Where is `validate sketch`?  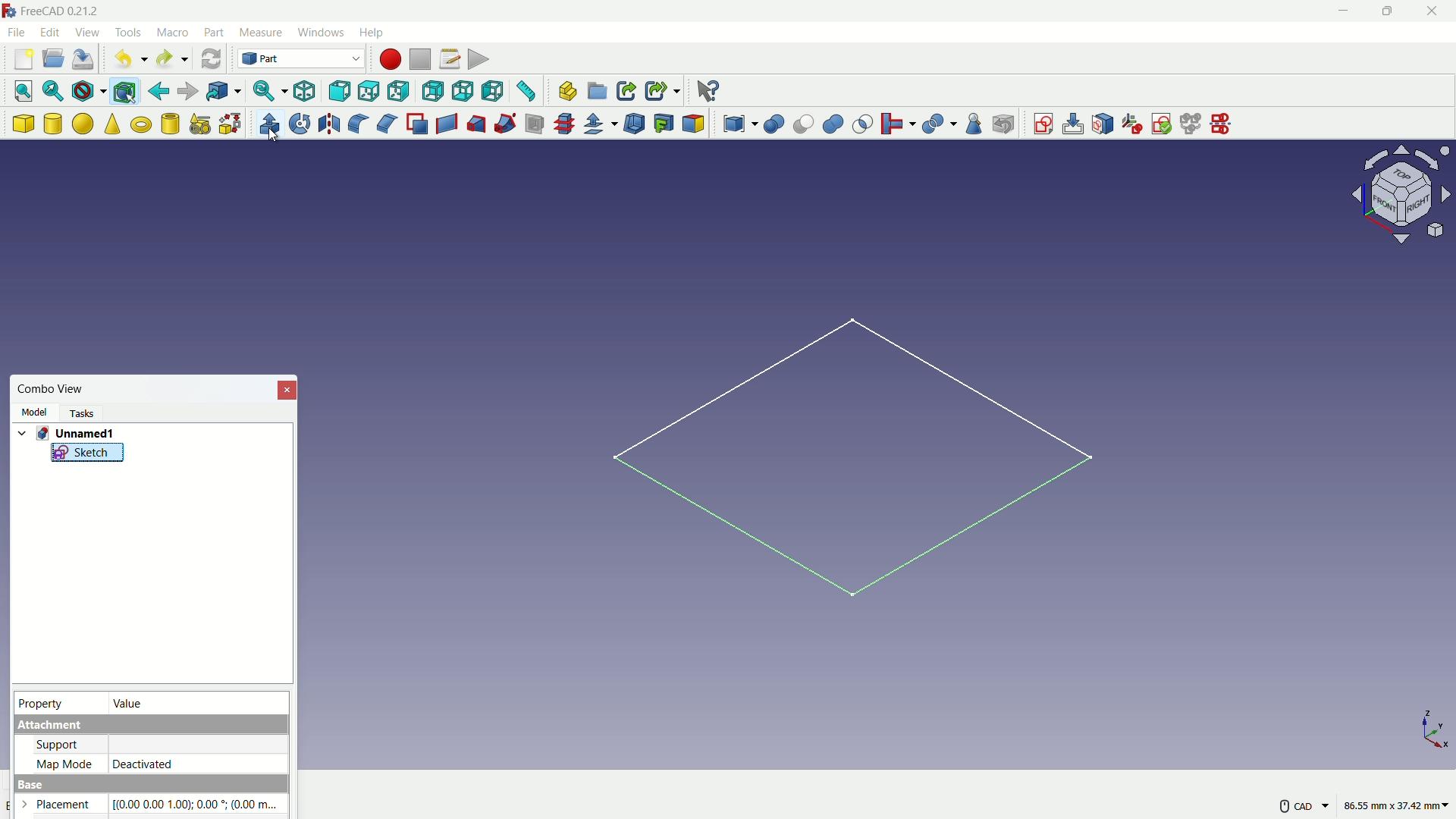 validate sketch is located at coordinates (1162, 124).